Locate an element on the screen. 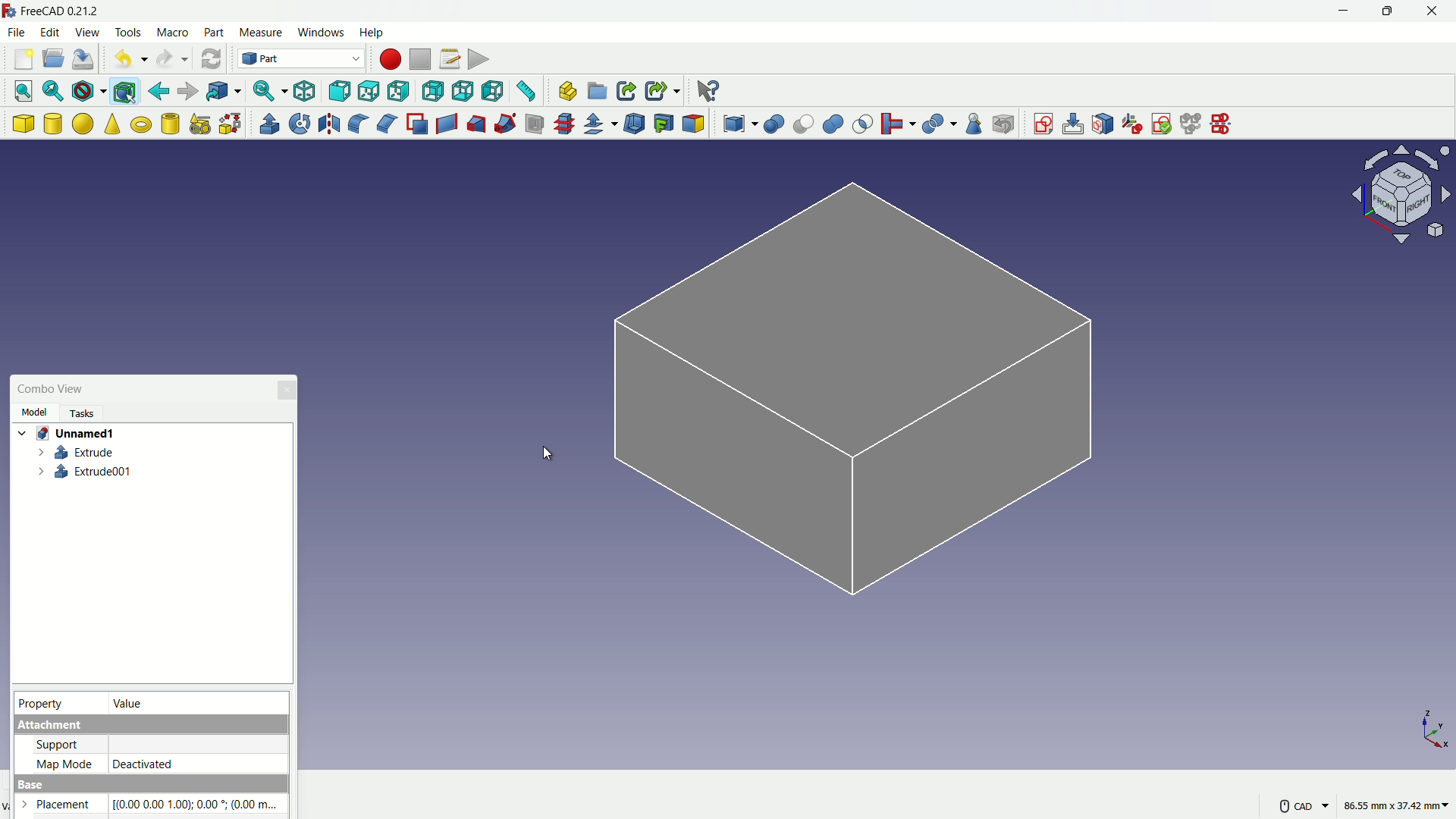 This screenshot has height=819, width=1456. cone is located at coordinates (113, 123).